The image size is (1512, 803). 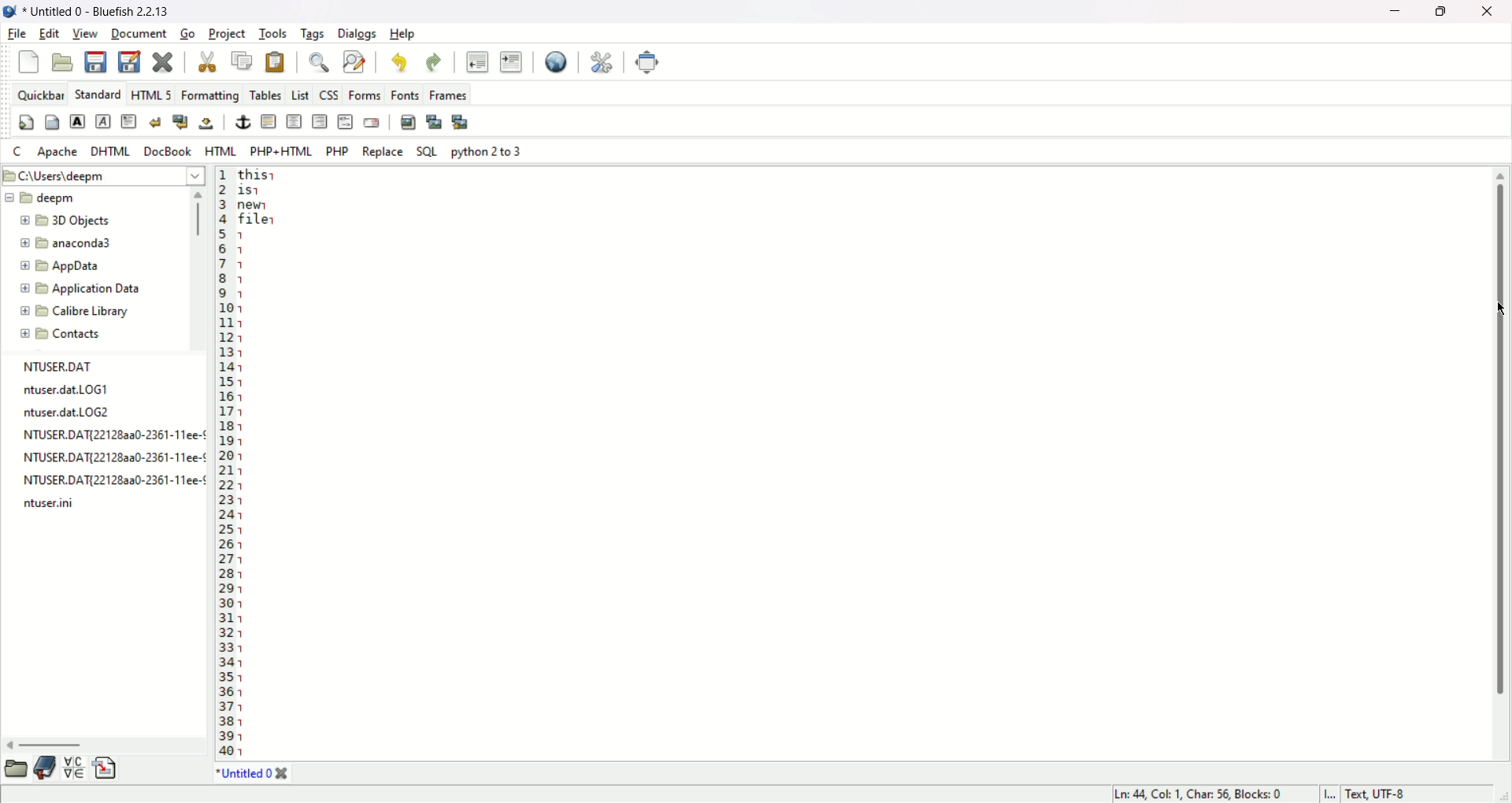 What do you see at coordinates (1444, 11) in the screenshot?
I see `maximize` at bounding box center [1444, 11].